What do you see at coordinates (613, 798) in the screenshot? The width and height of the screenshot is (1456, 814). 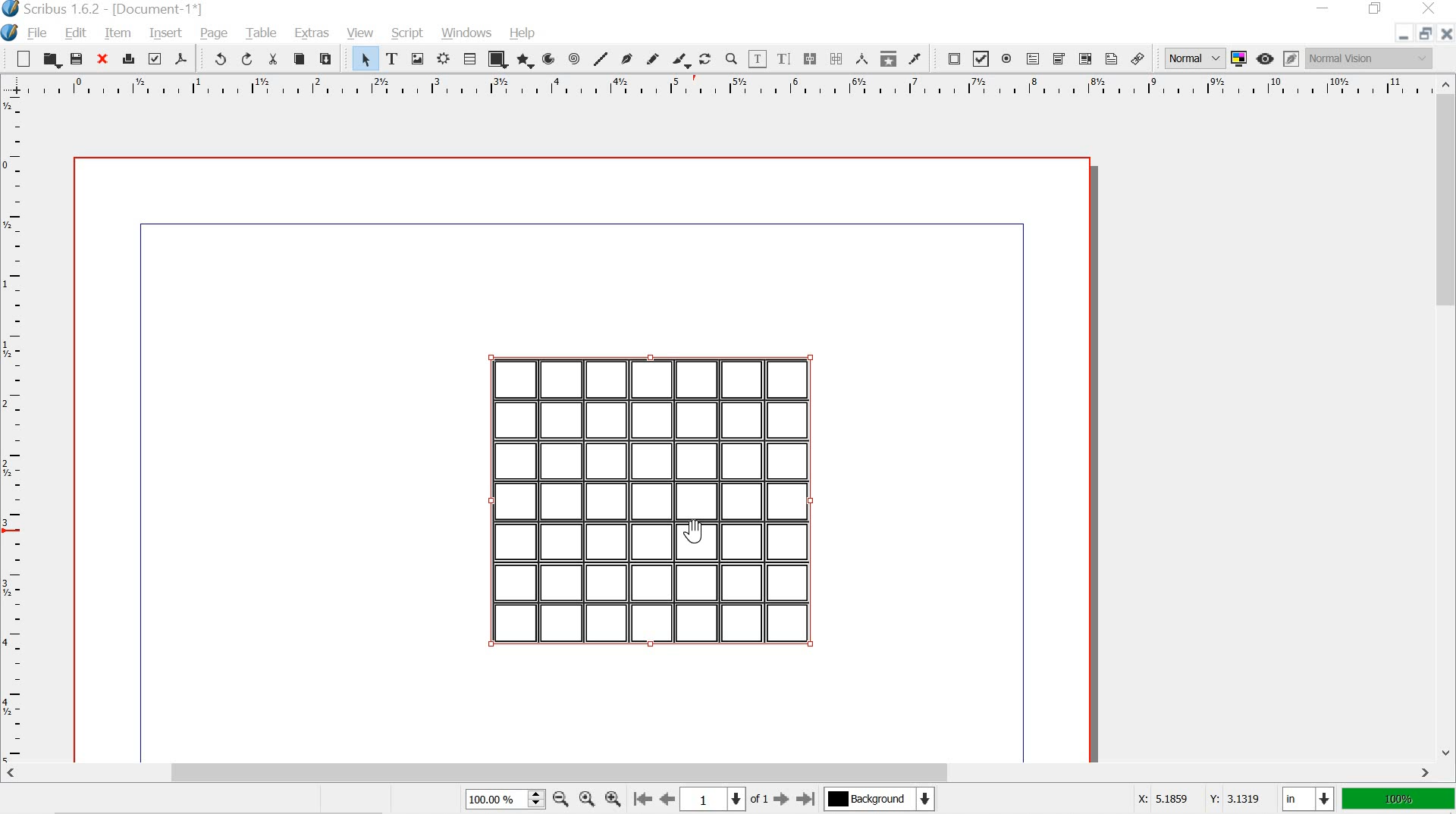 I see `zoom in` at bounding box center [613, 798].